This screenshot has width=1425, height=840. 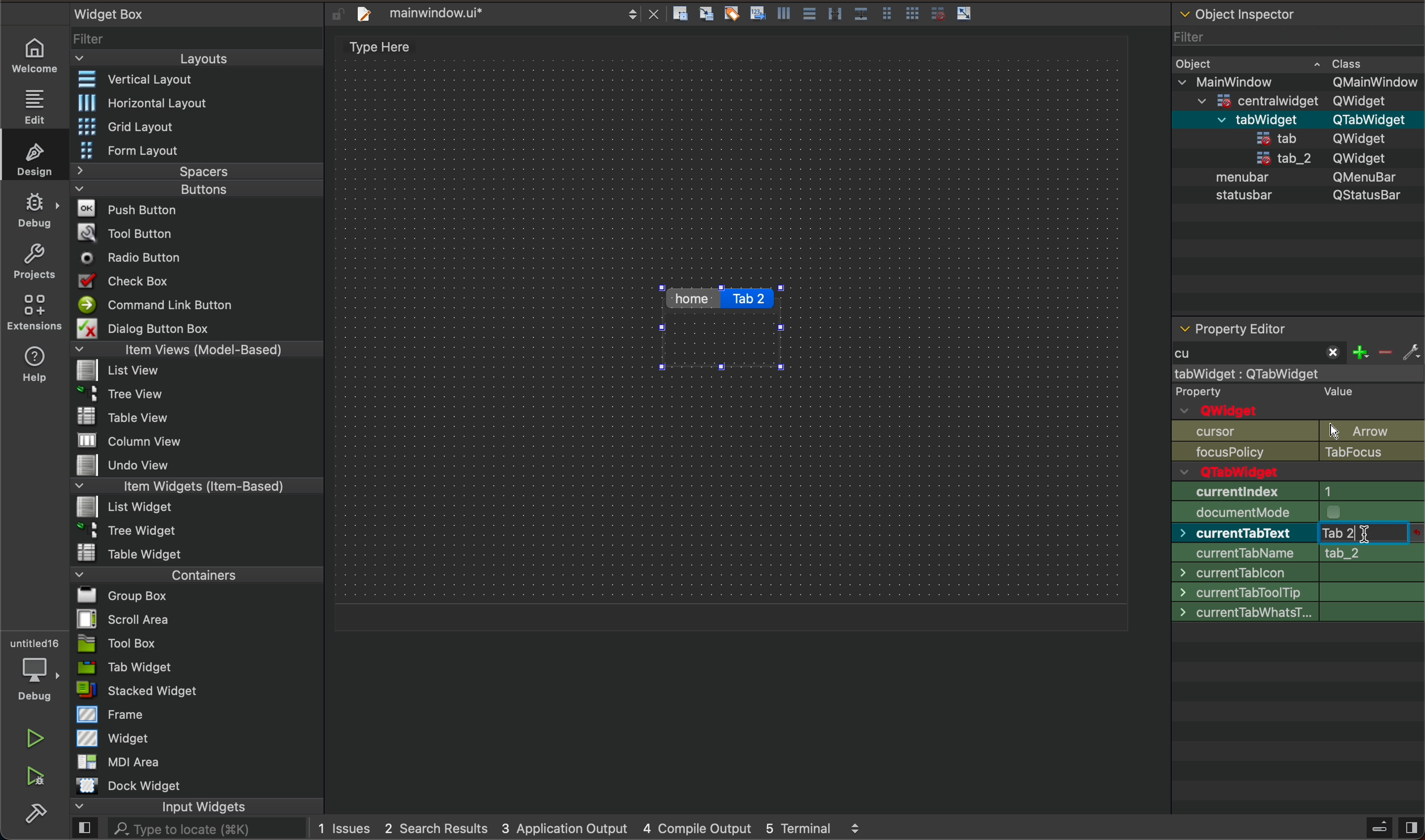 What do you see at coordinates (198, 350) in the screenshot?
I see `Item Views (Model-Based)` at bounding box center [198, 350].